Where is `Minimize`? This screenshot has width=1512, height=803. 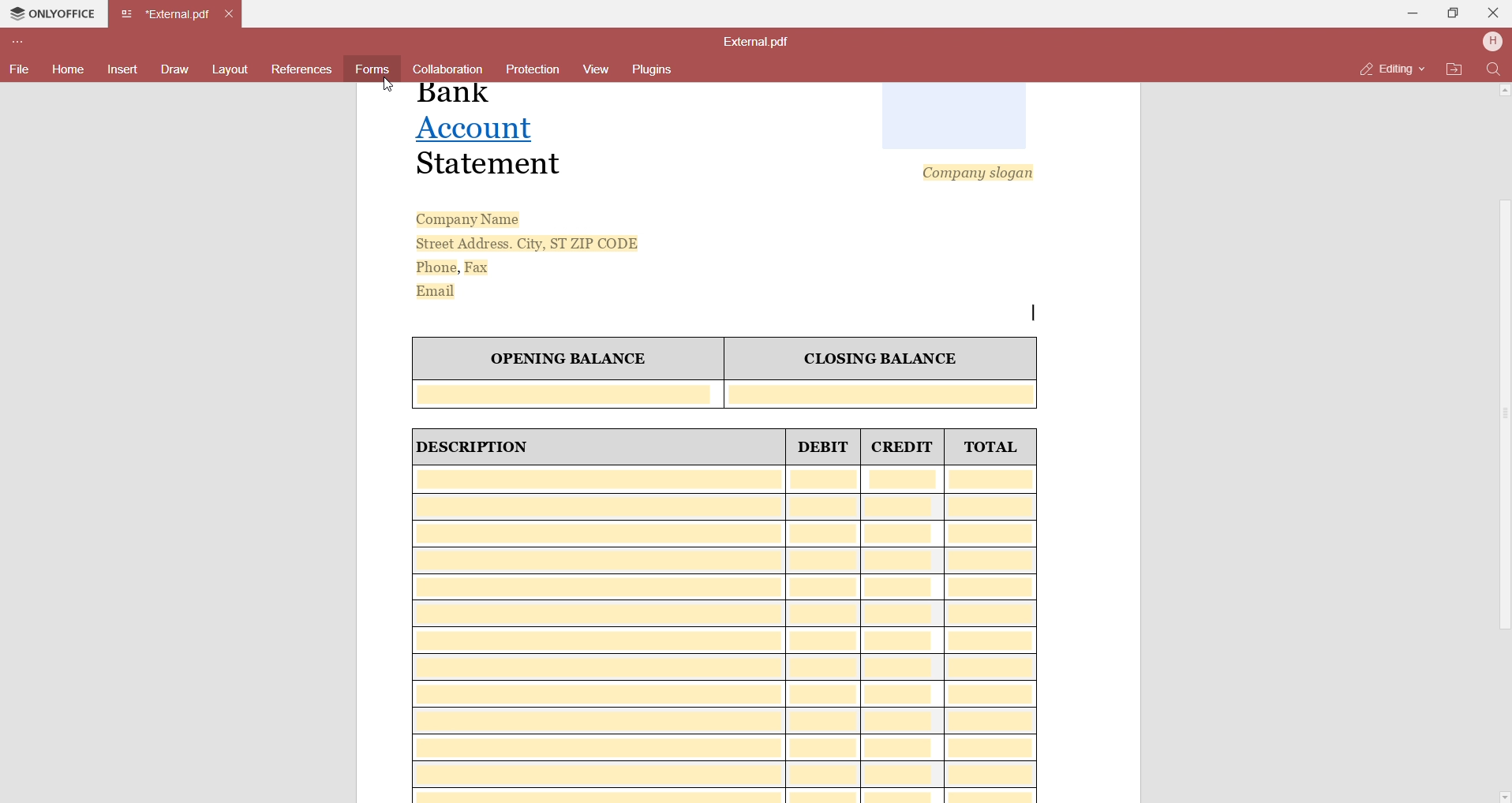
Minimize is located at coordinates (1407, 13).